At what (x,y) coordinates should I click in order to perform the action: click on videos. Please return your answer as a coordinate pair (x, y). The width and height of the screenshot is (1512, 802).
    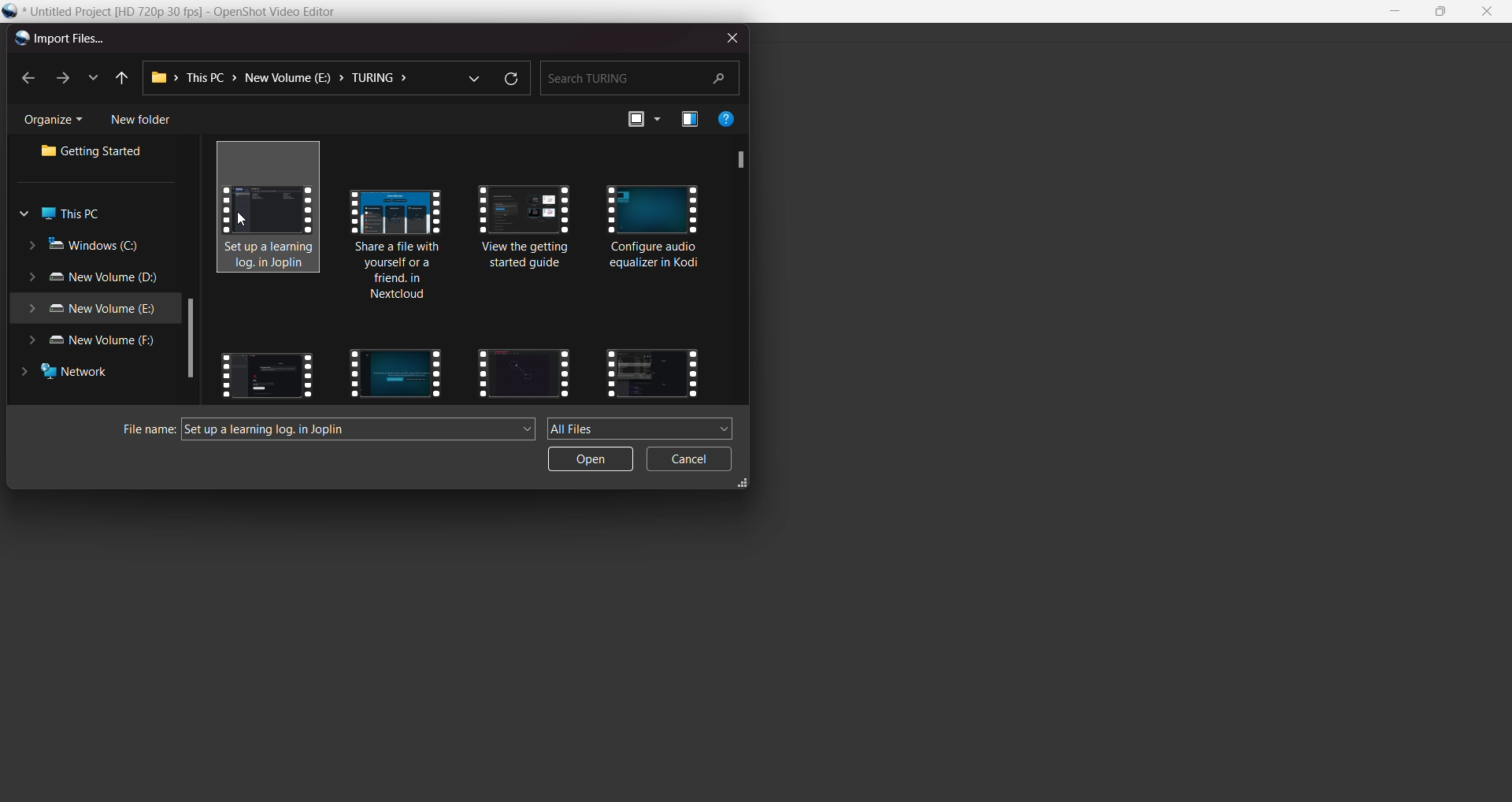
    Looking at the image, I should click on (656, 230).